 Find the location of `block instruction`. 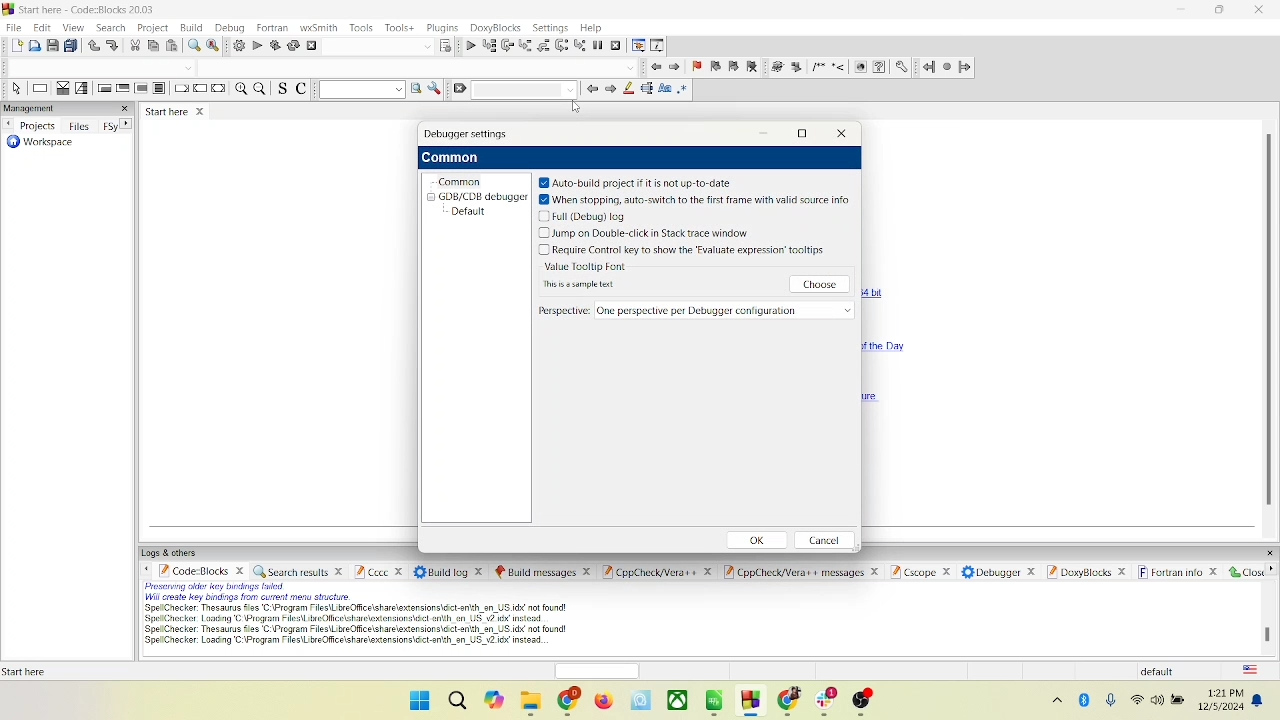

block instruction is located at coordinates (160, 87).